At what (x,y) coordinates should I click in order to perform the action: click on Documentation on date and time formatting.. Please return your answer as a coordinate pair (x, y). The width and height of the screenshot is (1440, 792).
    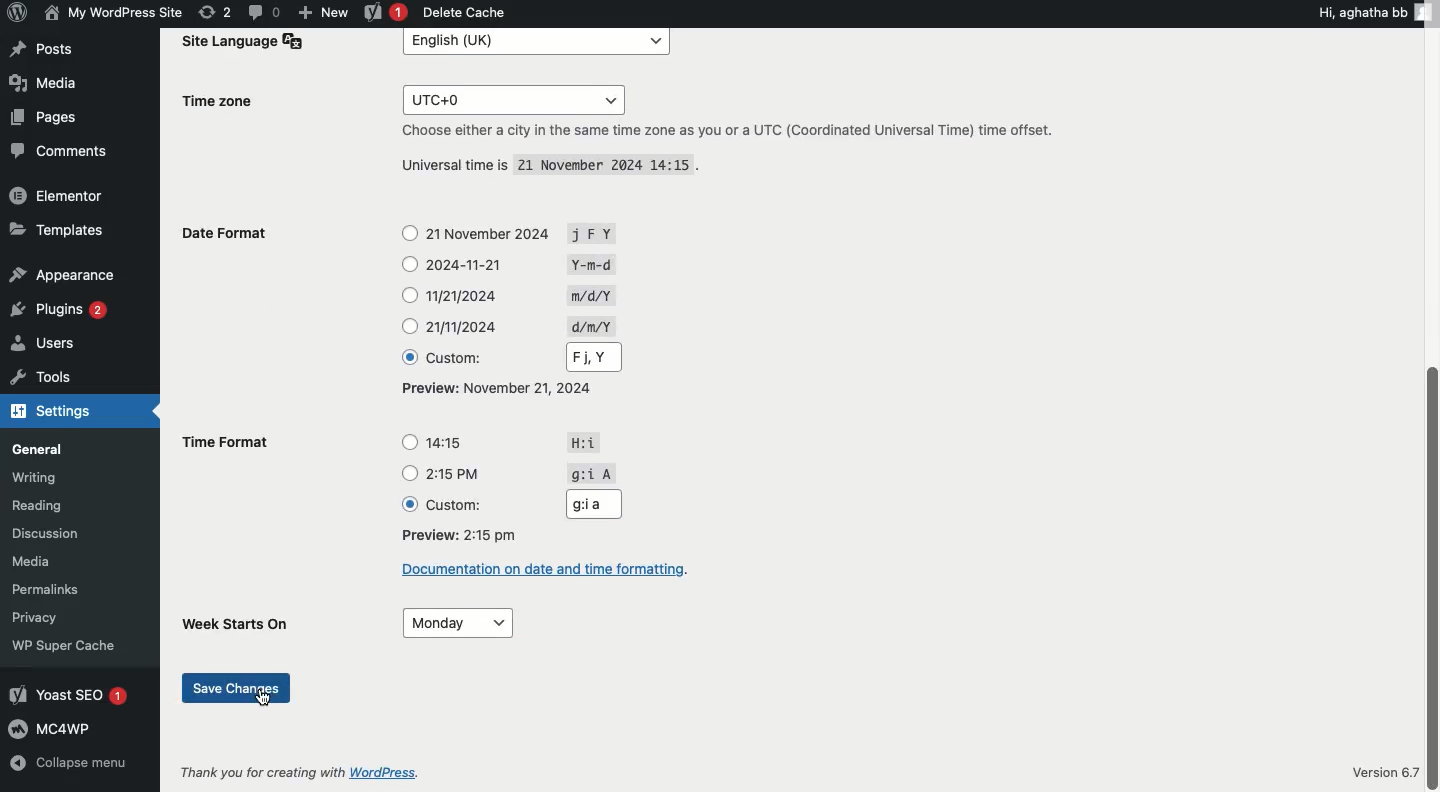
    Looking at the image, I should click on (550, 571).